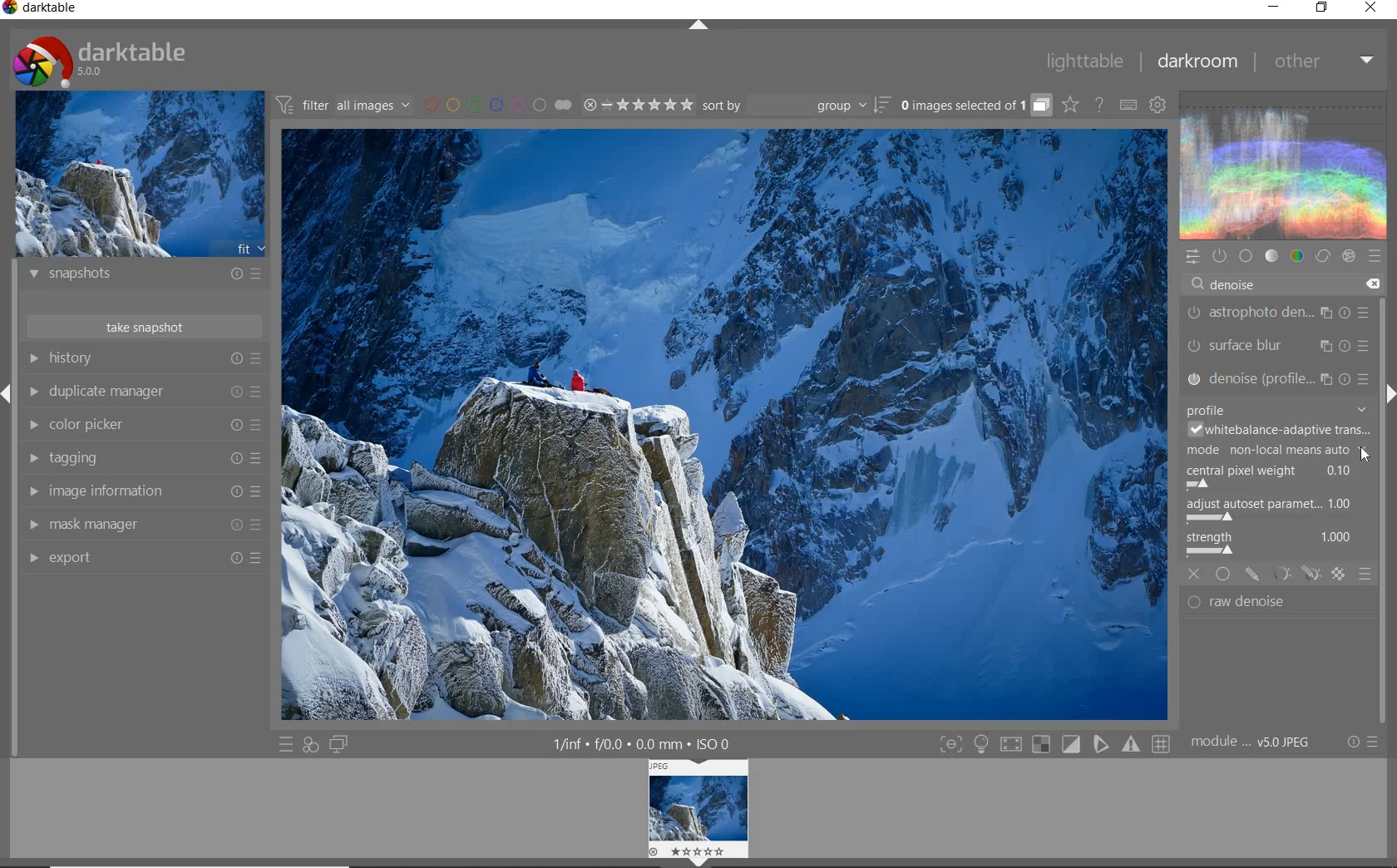 Image resolution: width=1397 pixels, height=868 pixels. Describe the element at coordinates (141, 557) in the screenshot. I see `export` at that location.